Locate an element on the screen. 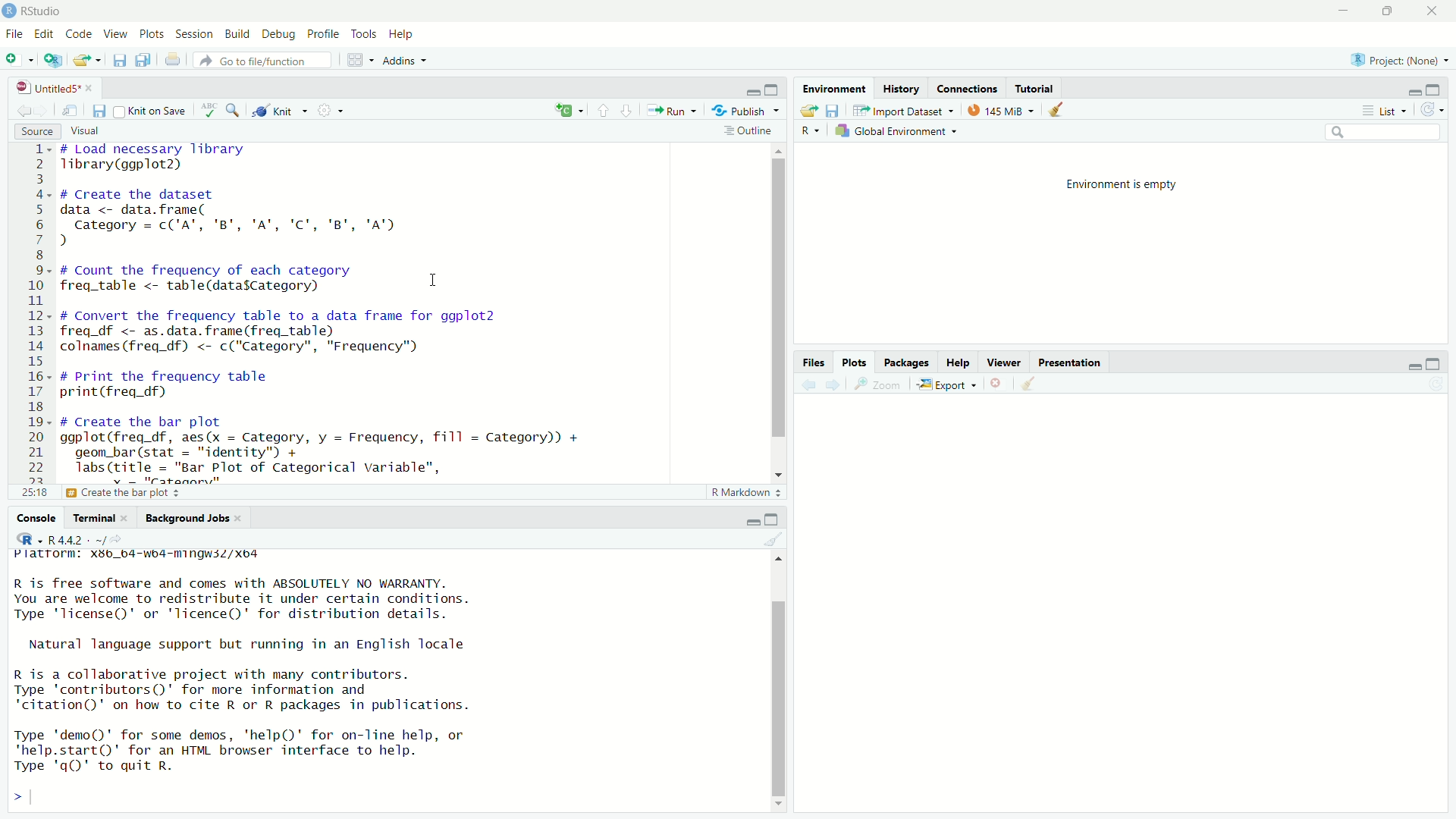 The width and height of the screenshot is (1456, 819). plots is located at coordinates (152, 35).